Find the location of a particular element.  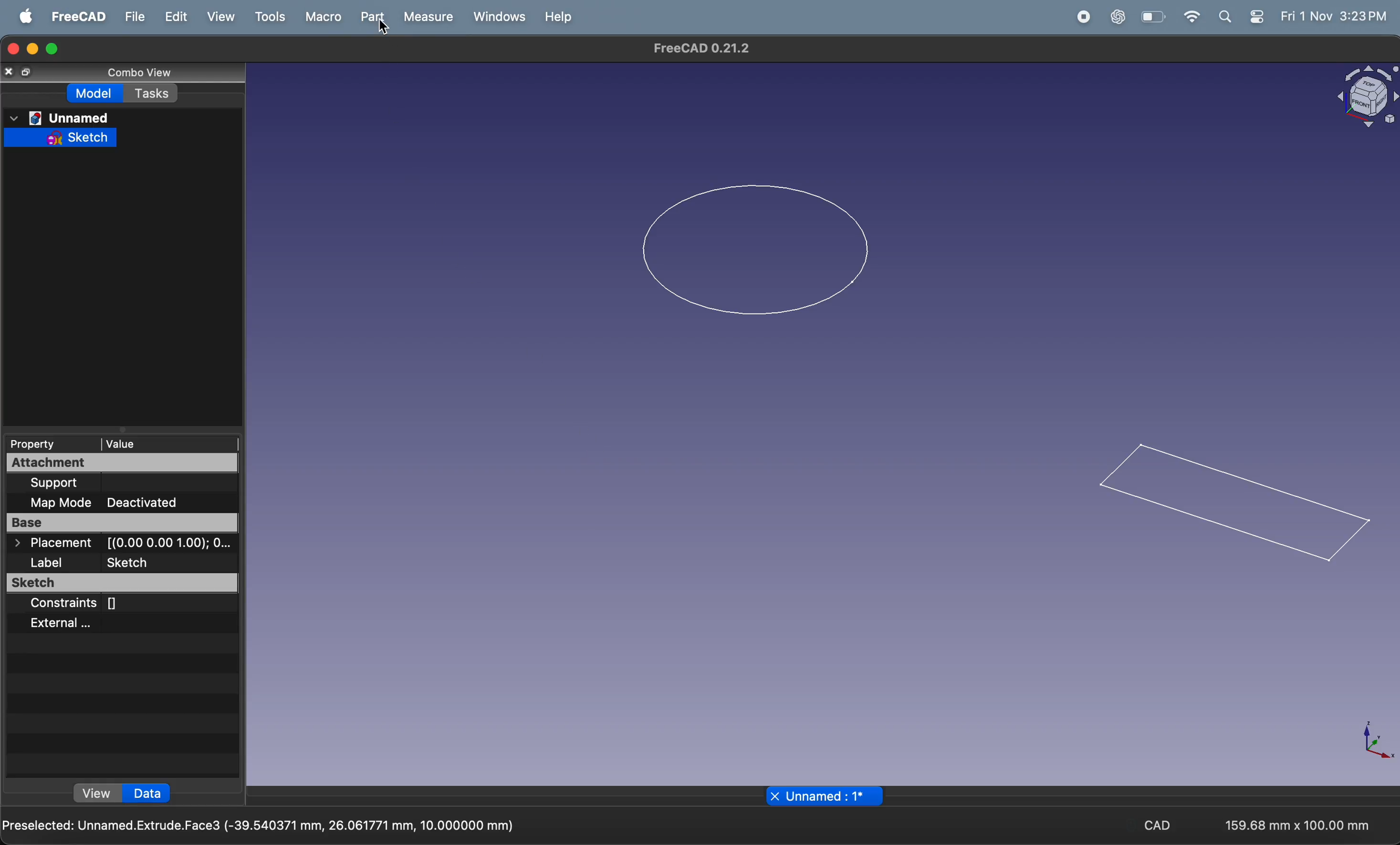

file name is located at coordinates (819, 797).